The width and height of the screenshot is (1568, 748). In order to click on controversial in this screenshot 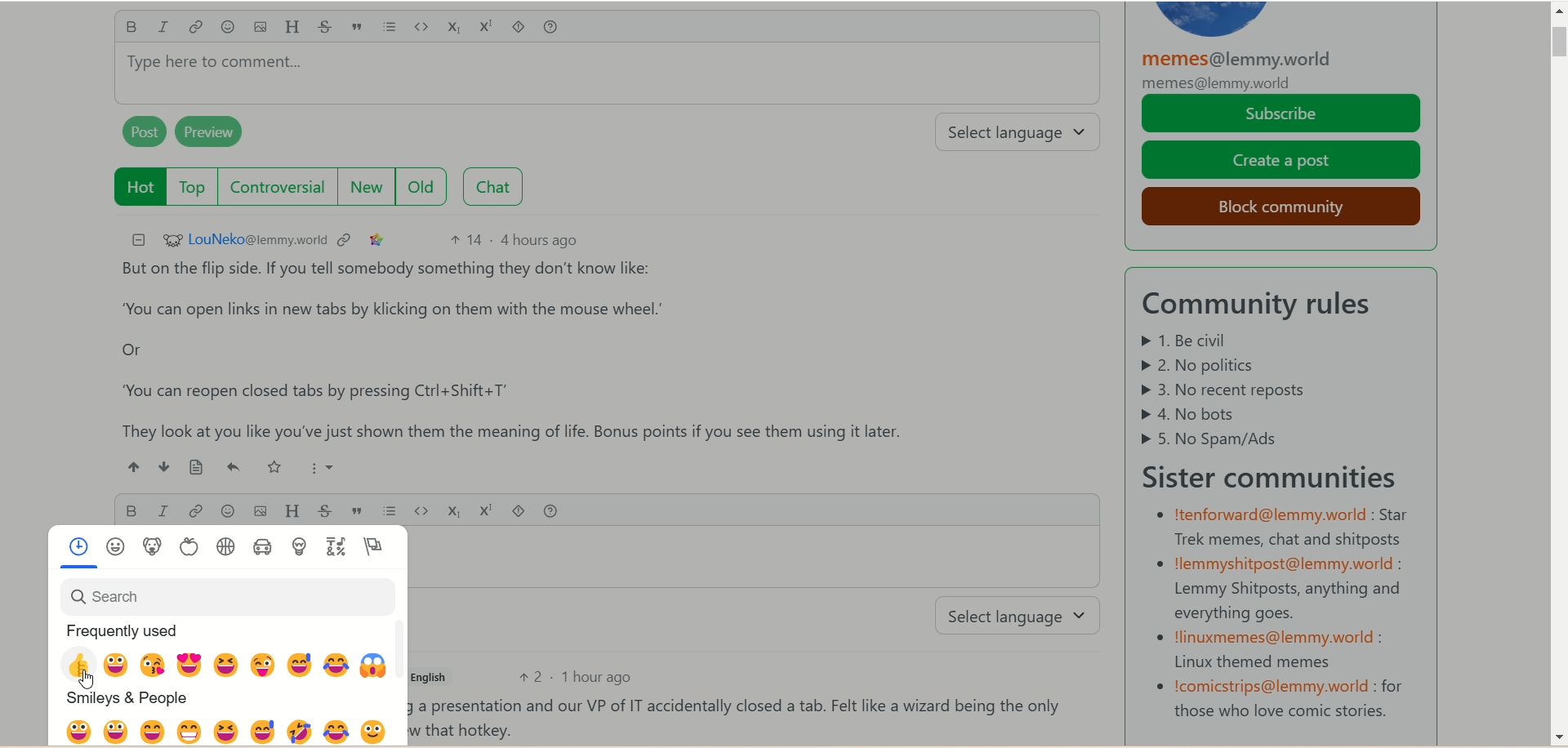, I will do `click(282, 187)`.